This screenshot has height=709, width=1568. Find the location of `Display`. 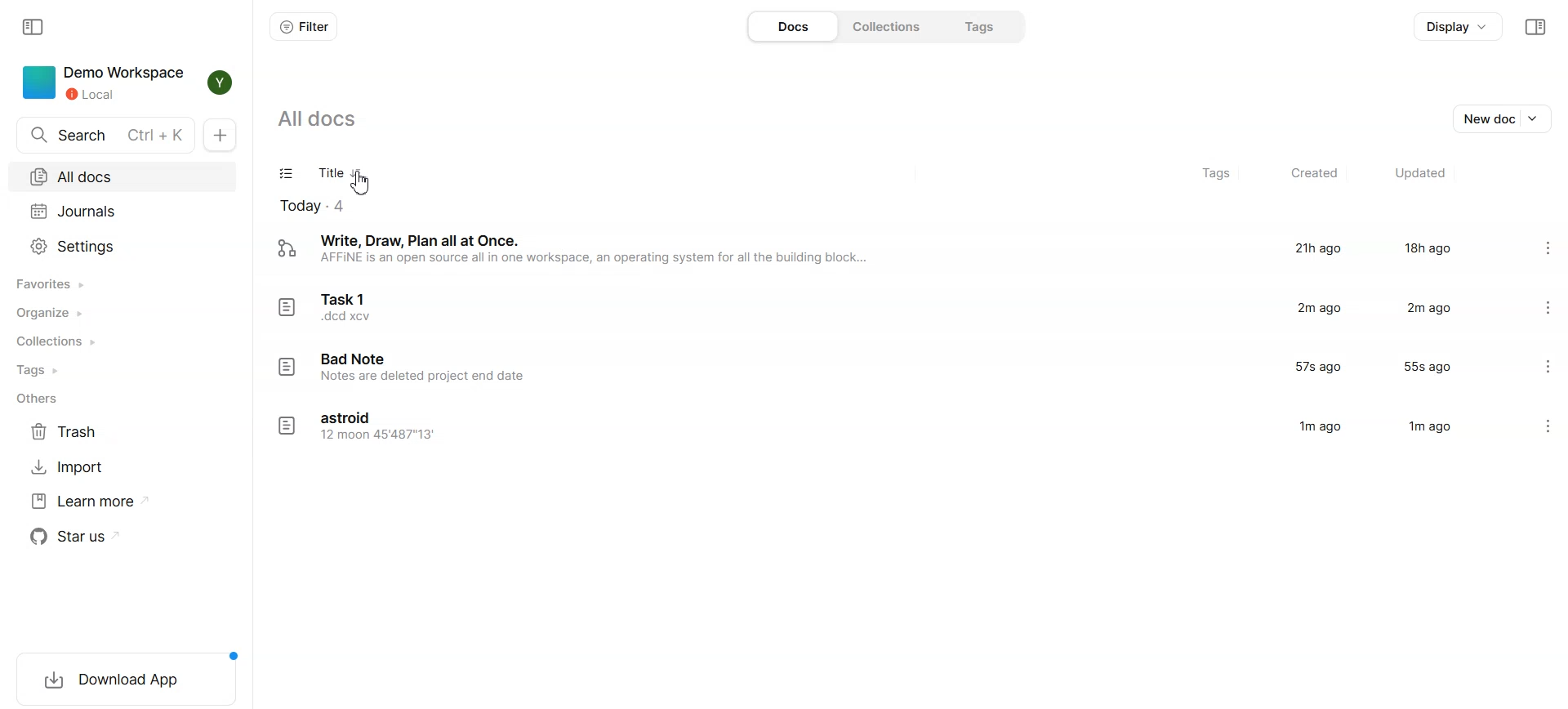

Display is located at coordinates (1459, 26).